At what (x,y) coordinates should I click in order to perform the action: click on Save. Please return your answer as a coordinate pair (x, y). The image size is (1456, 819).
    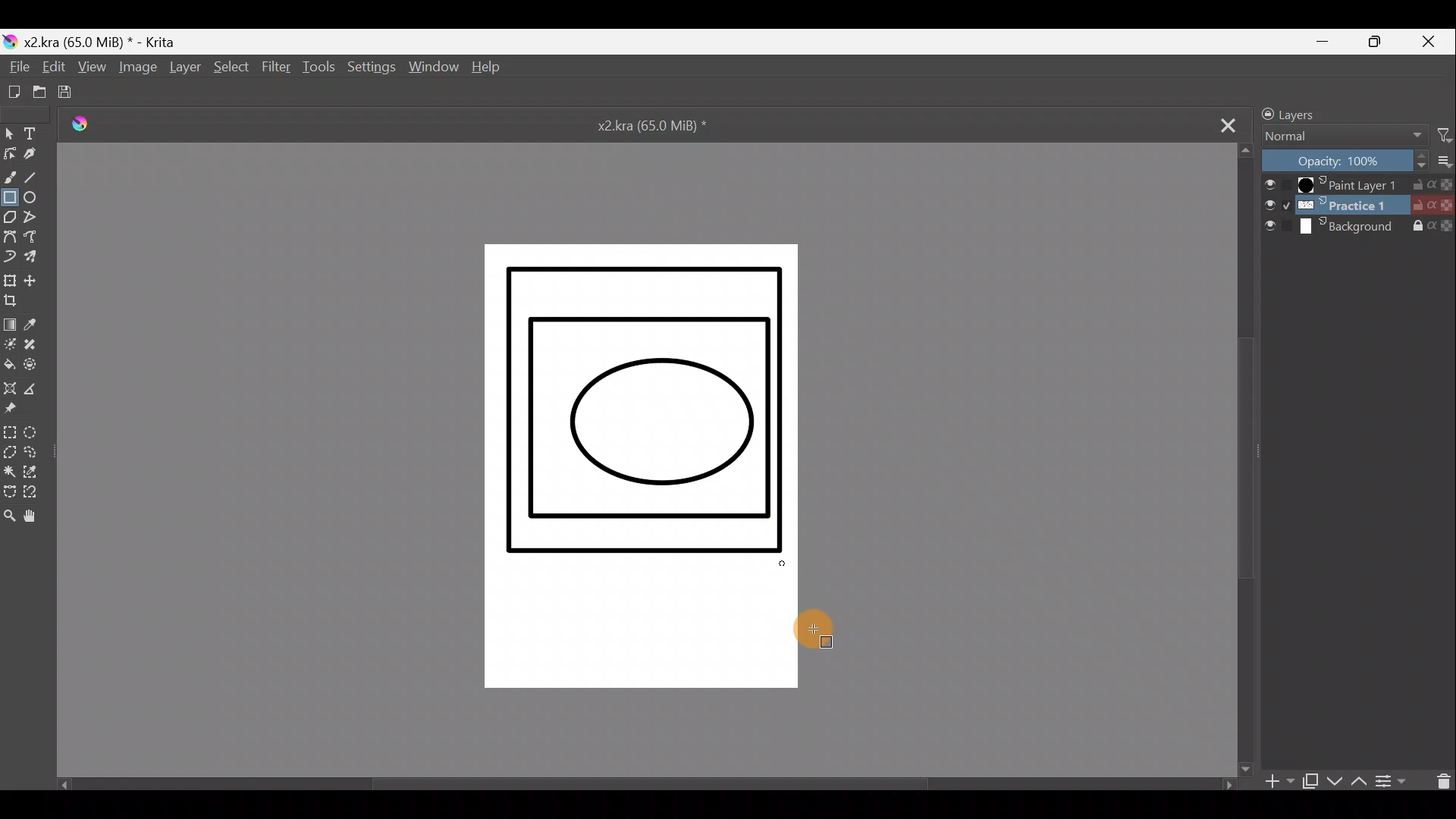
    Looking at the image, I should click on (71, 93).